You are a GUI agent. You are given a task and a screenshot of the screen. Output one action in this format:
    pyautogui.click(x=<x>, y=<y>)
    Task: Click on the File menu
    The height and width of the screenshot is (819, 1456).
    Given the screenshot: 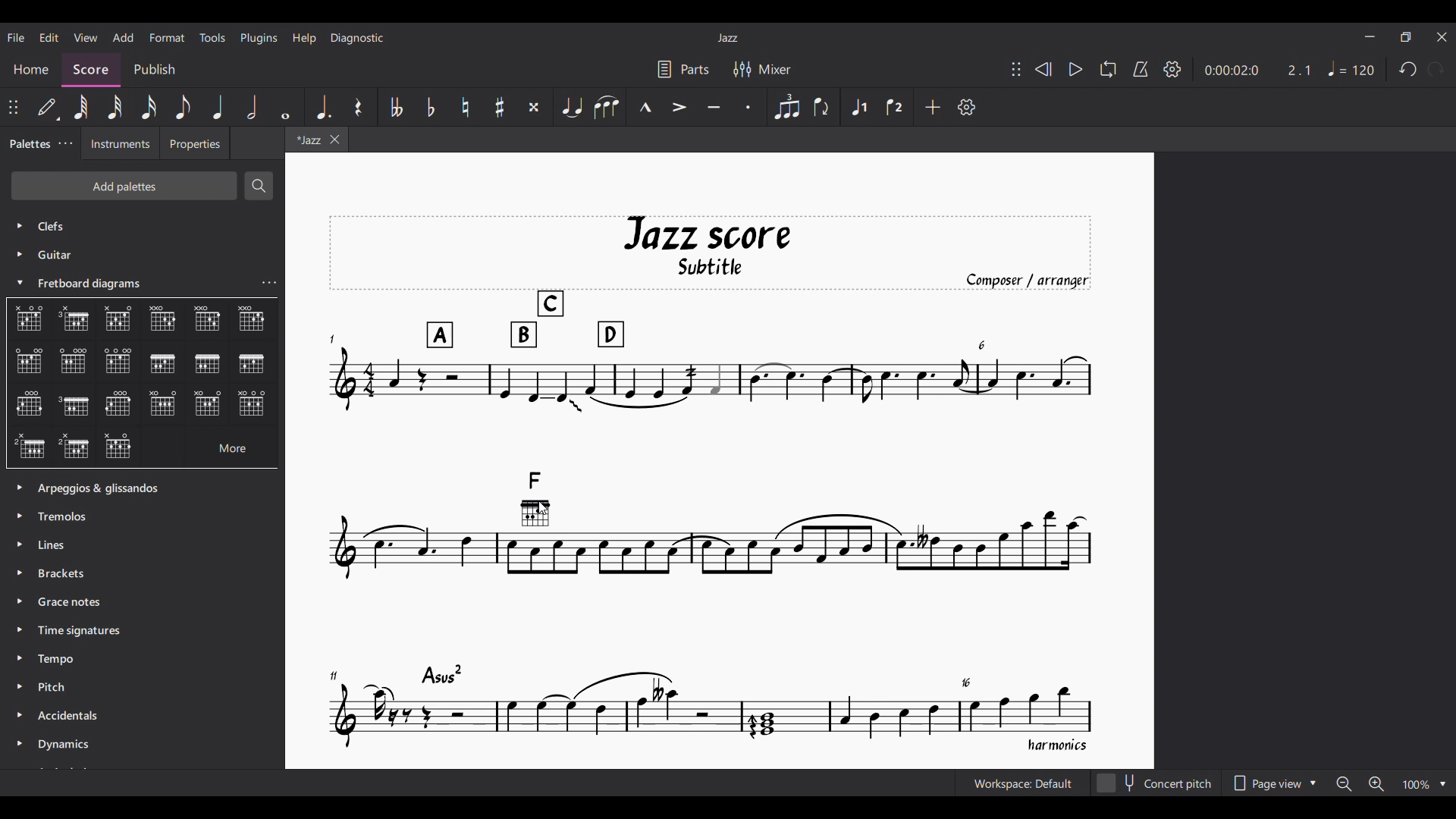 What is the action you would take?
    pyautogui.click(x=15, y=37)
    